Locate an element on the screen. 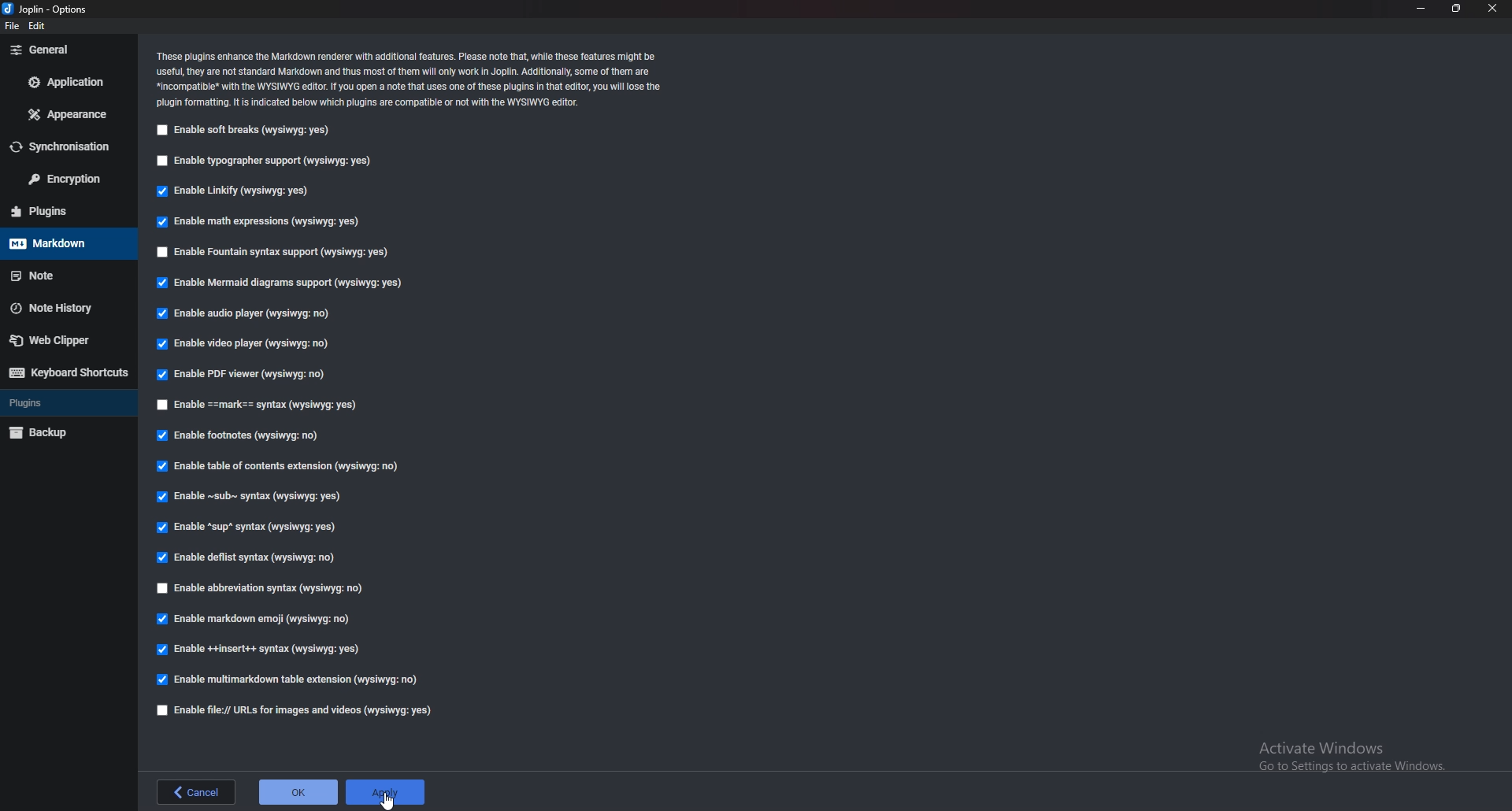 The image size is (1512, 811). apply is located at coordinates (387, 790).